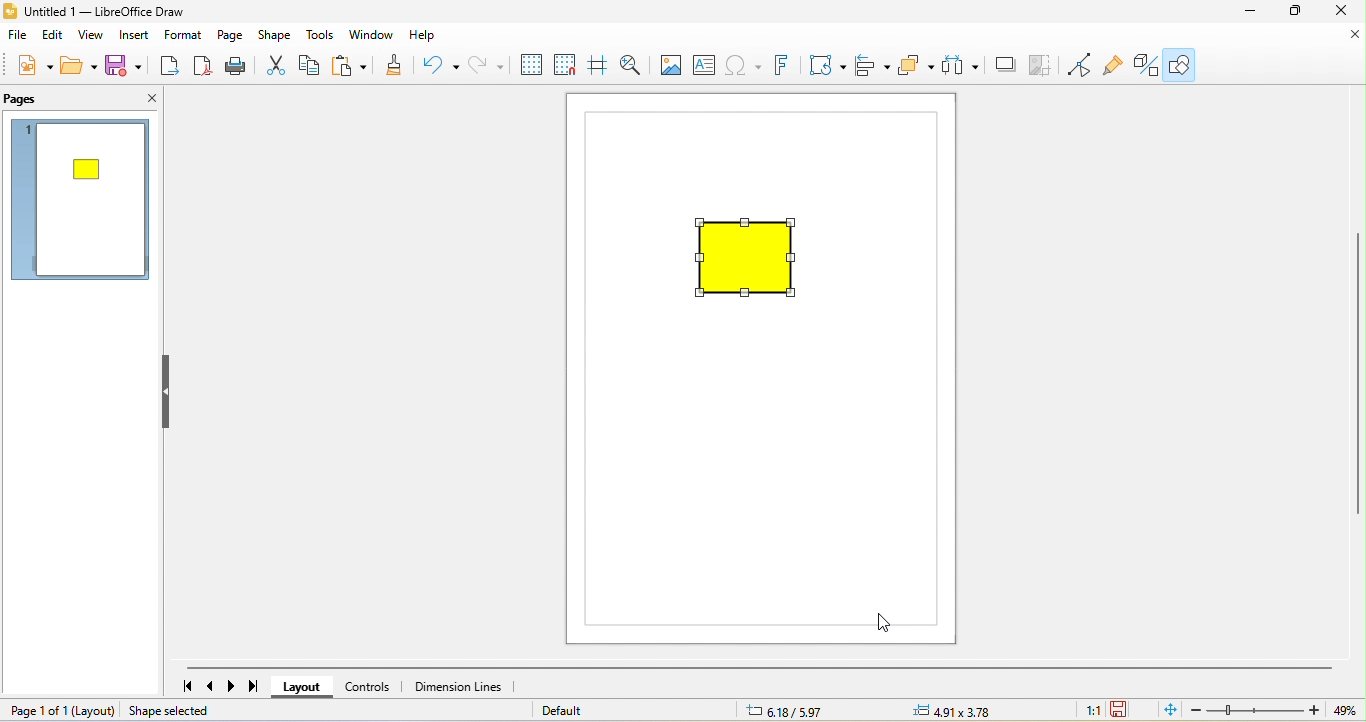 Image resolution: width=1366 pixels, height=722 pixels. Describe the element at coordinates (172, 393) in the screenshot. I see `hide` at that location.